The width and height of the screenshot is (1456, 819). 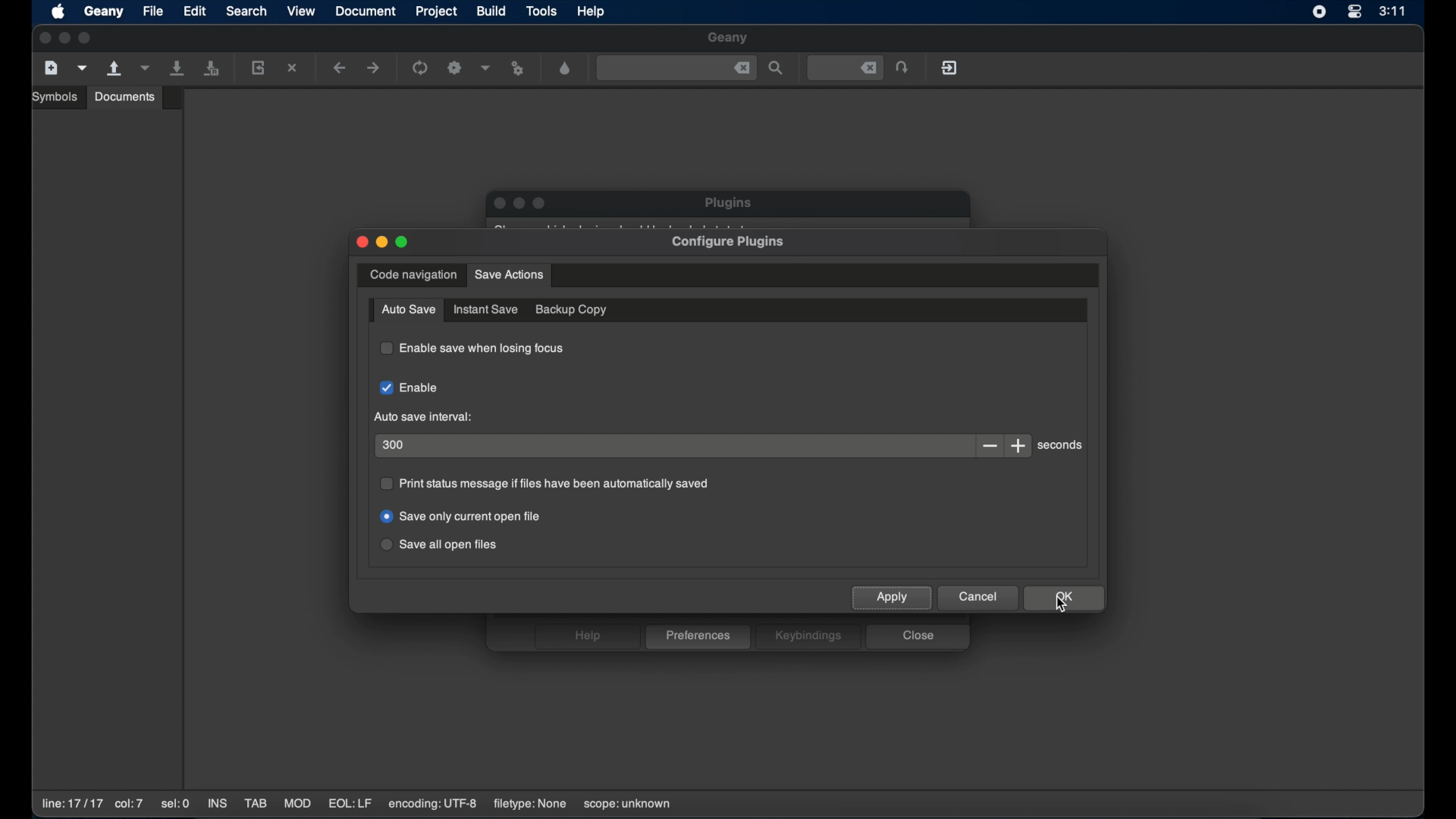 I want to click on choose more build options, so click(x=486, y=67).